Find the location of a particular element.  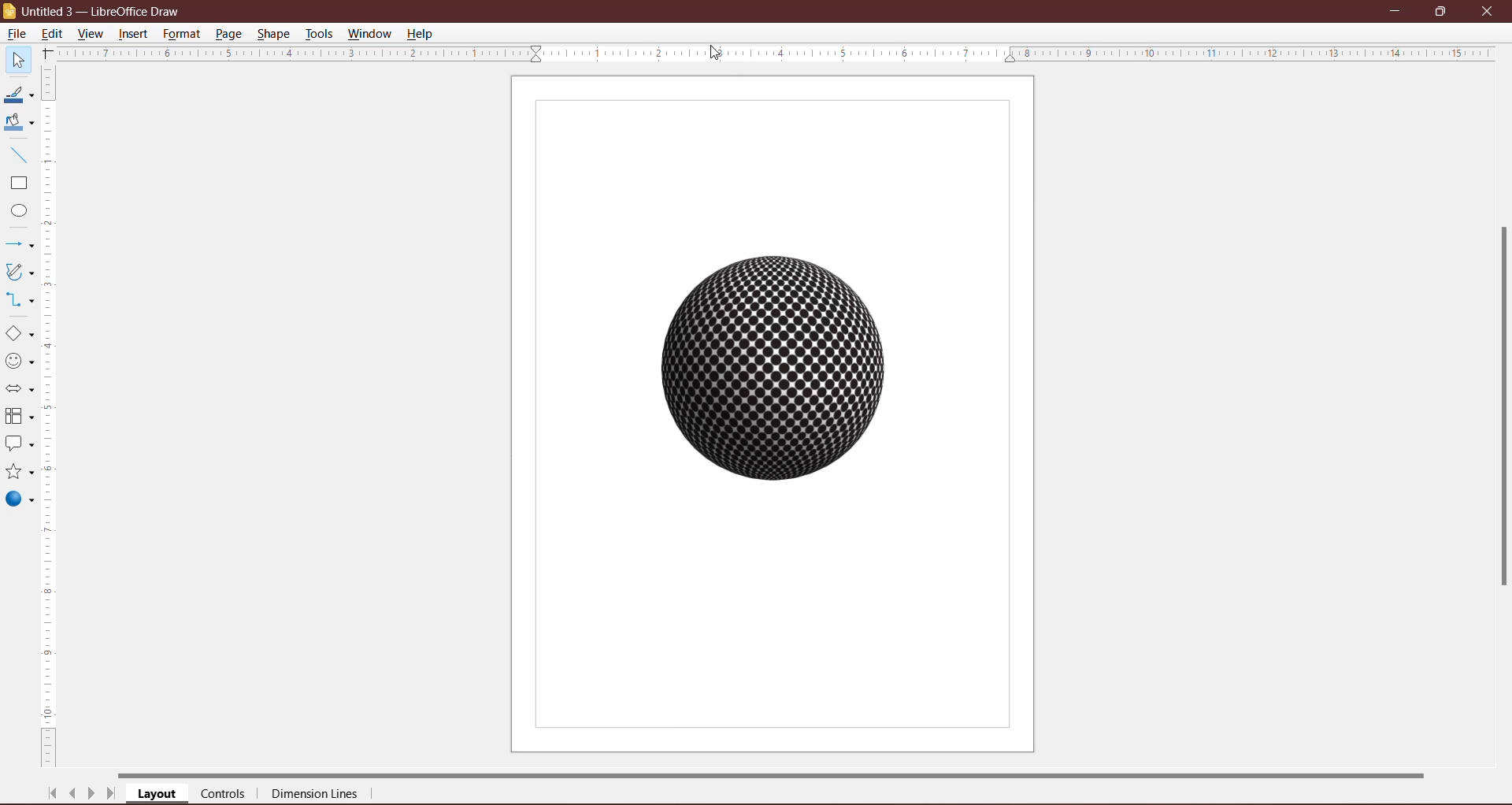

Vertical Scroll Bar is located at coordinates (50, 417).